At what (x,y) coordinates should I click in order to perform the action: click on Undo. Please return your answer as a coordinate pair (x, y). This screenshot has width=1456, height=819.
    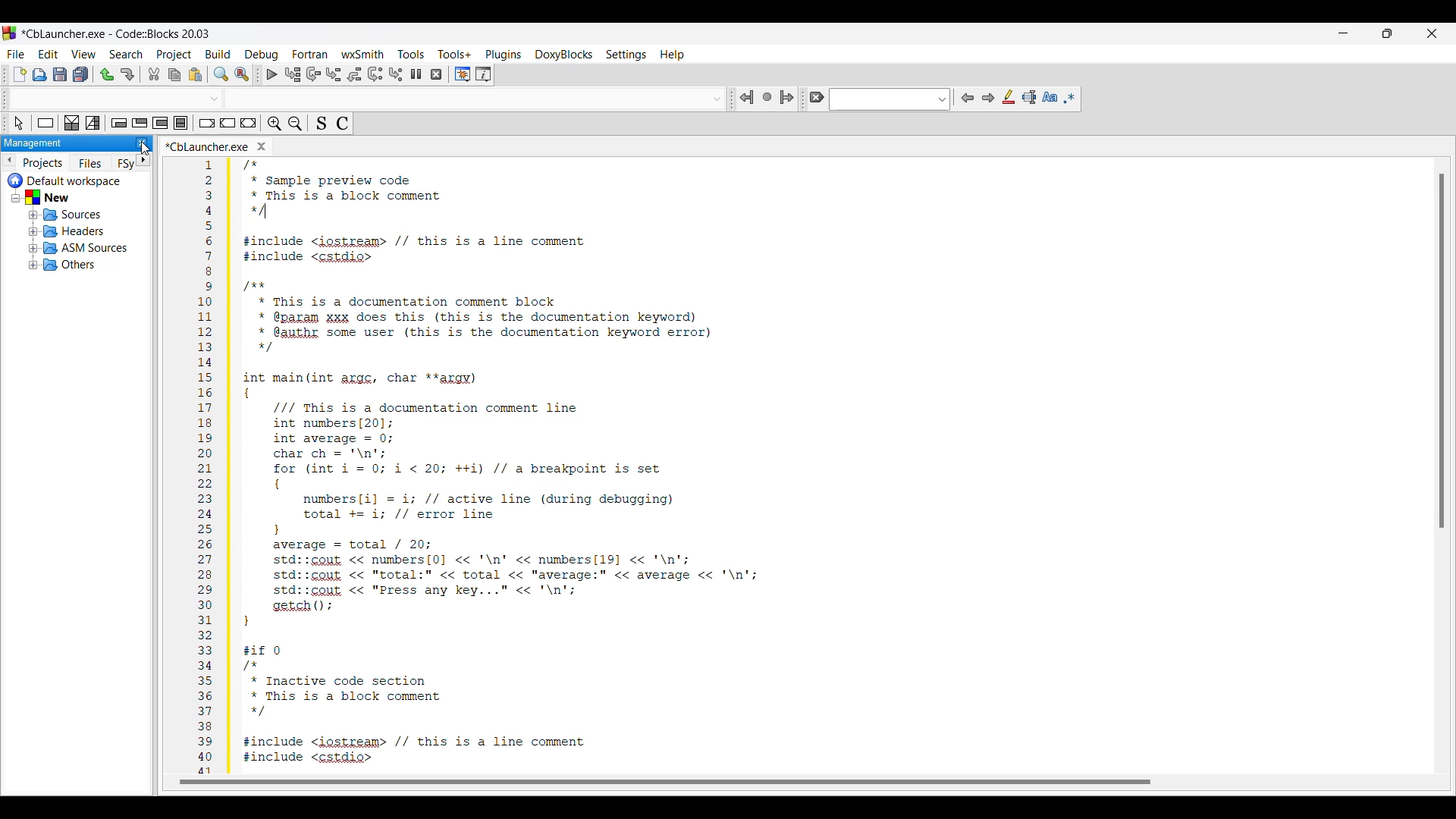
    Looking at the image, I should click on (107, 74).